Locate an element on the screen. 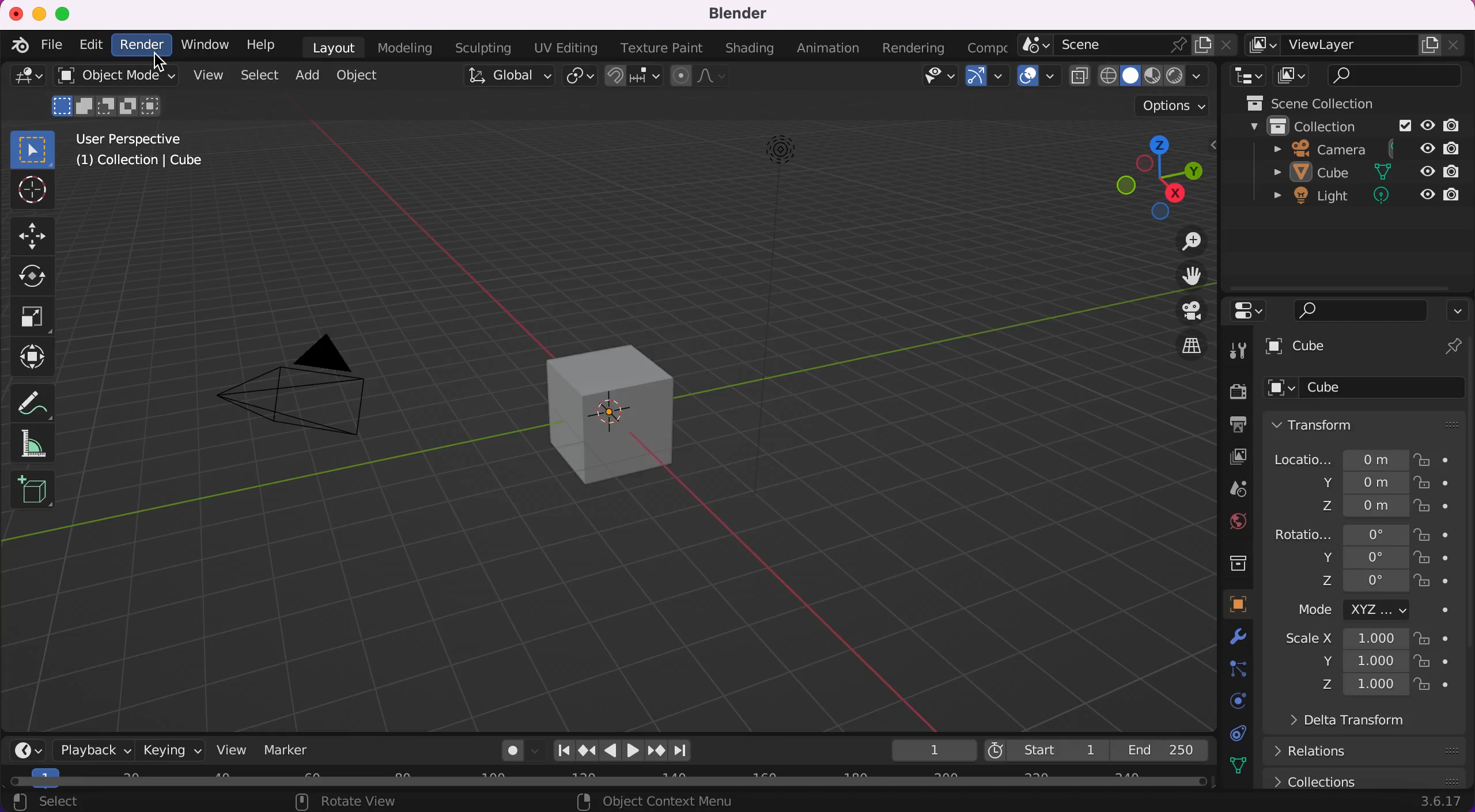 The width and height of the screenshot is (1475, 812). view is located at coordinates (203, 77).